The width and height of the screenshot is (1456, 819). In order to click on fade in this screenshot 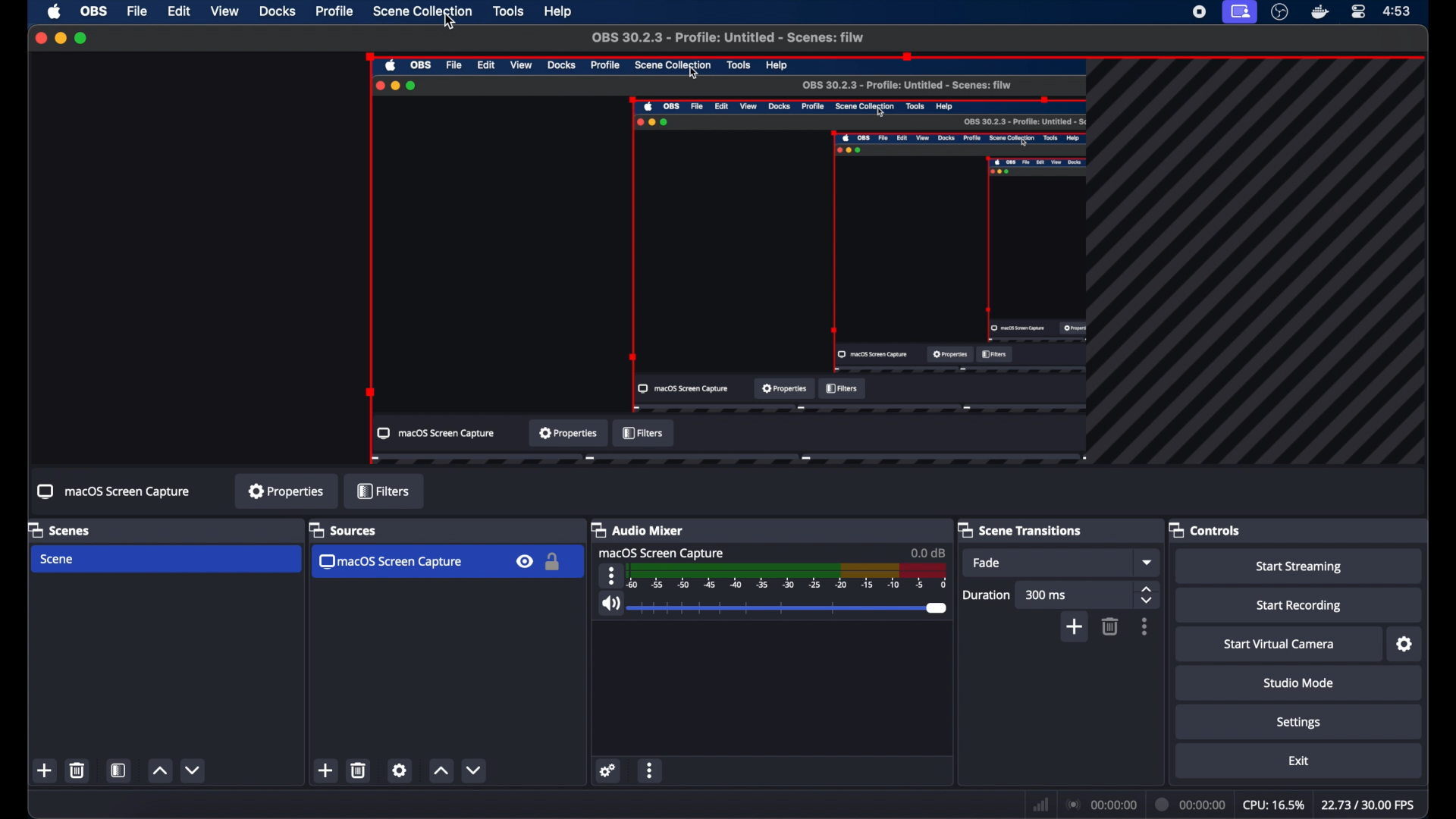, I will do `click(986, 563)`.